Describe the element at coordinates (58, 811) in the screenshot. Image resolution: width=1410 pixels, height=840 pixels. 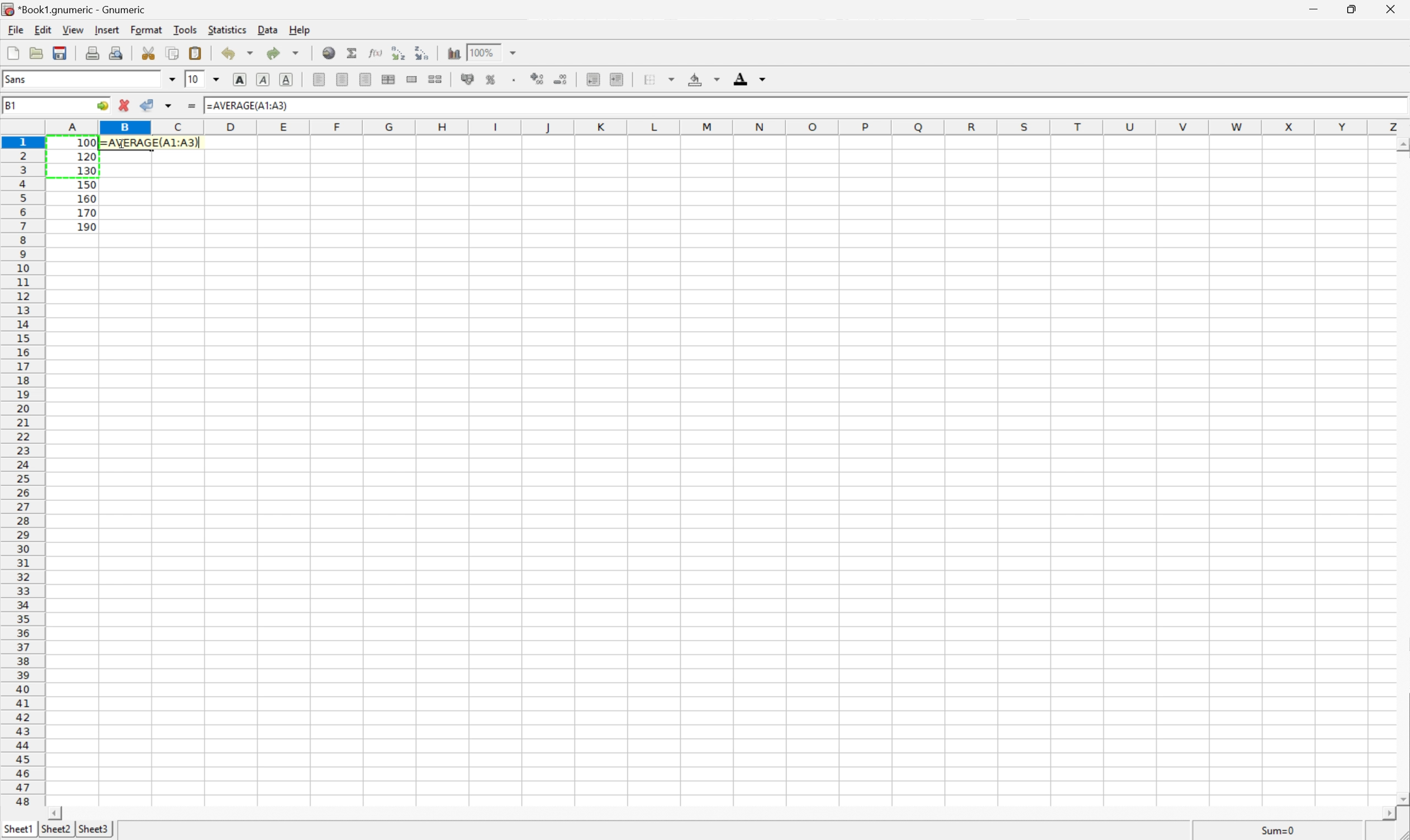
I see `Scroll Left` at that location.